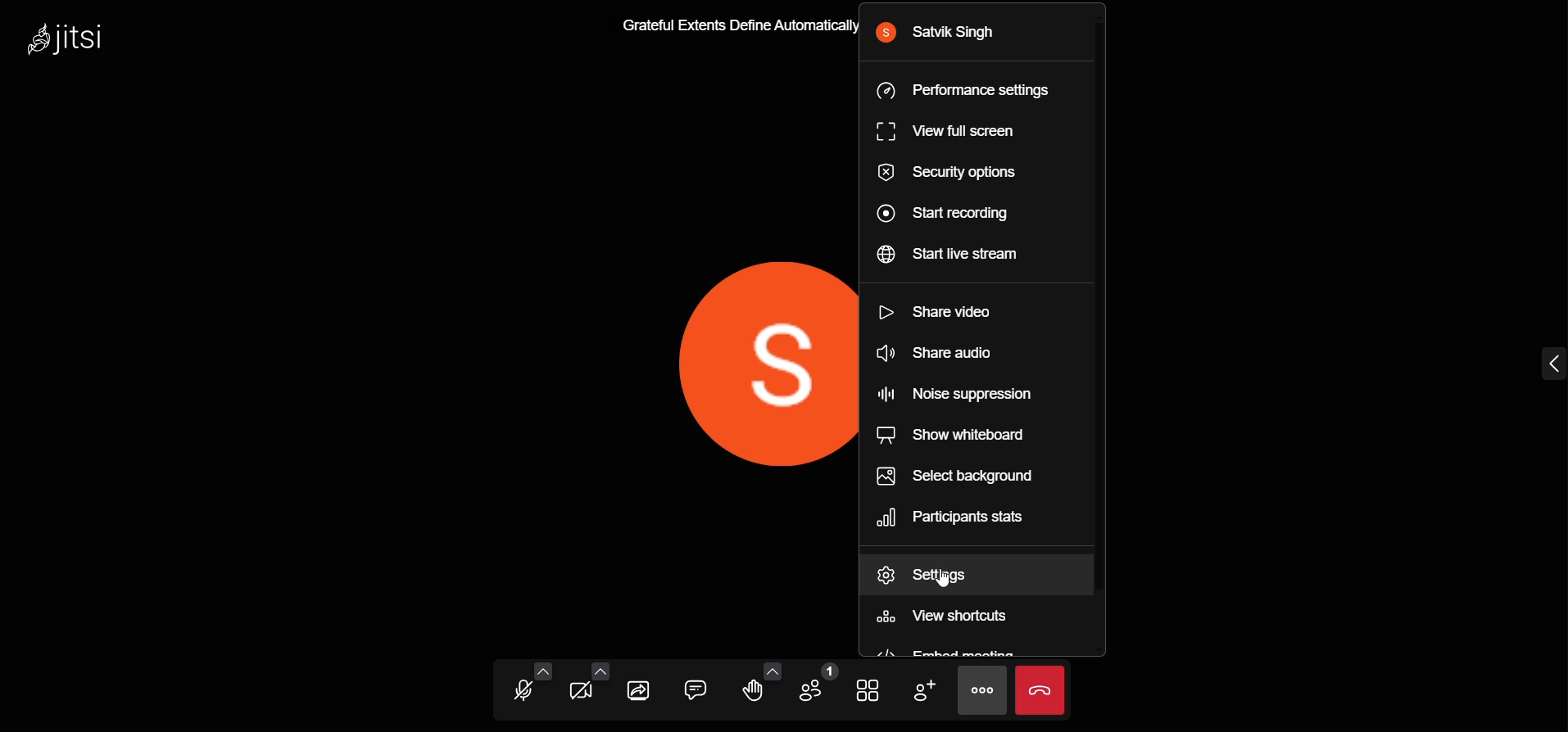 This screenshot has width=1568, height=732. What do you see at coordinates (943, 355) in the screenshot?
I see `share audio` at bounding box center [943, 355].